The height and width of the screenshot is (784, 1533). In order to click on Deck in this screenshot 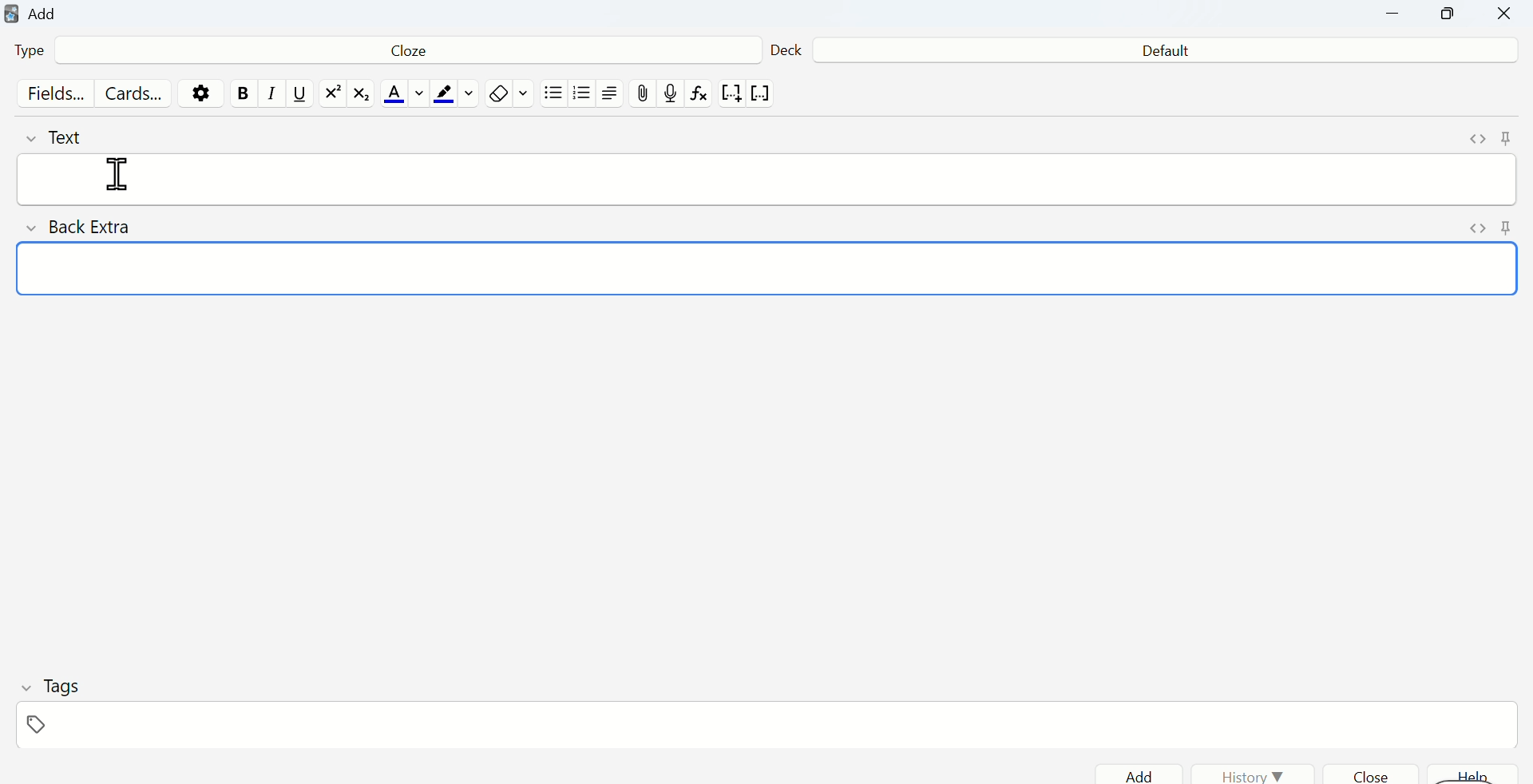, I will do `click(786, 47)`.